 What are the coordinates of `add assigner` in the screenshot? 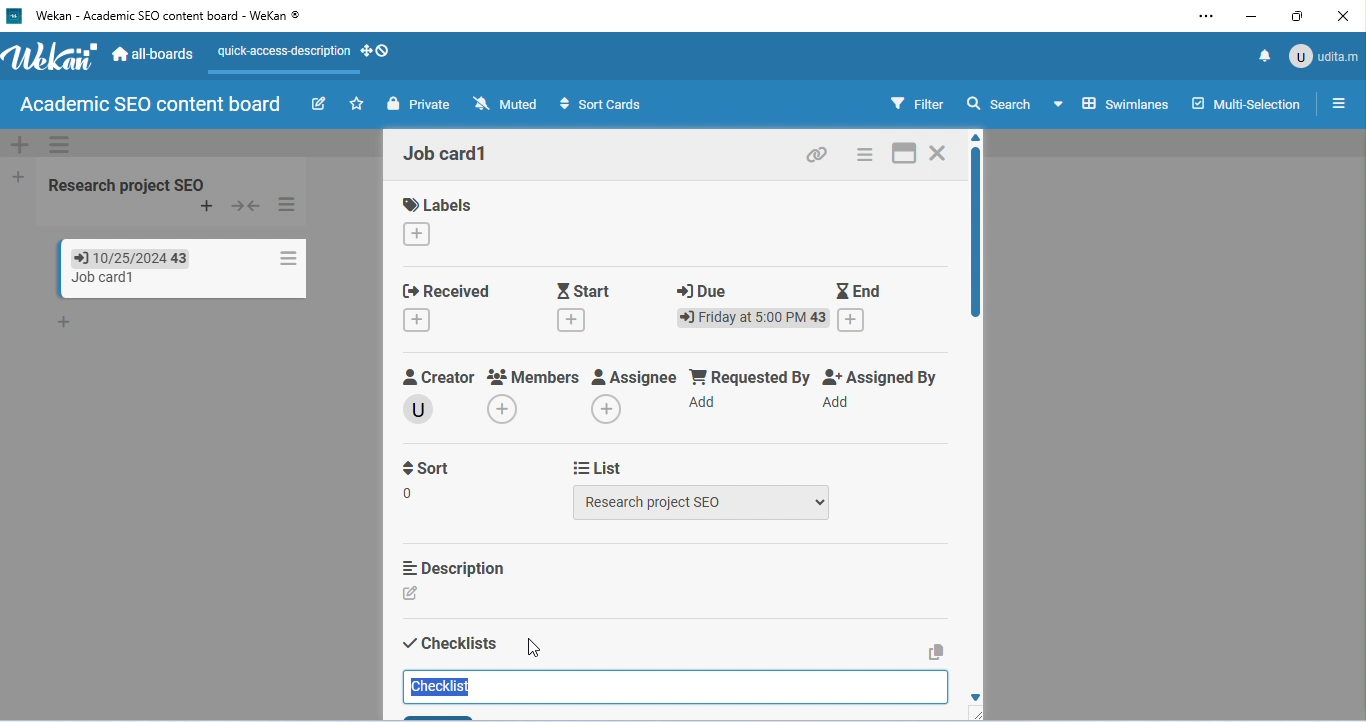 It's located at (838, 404).